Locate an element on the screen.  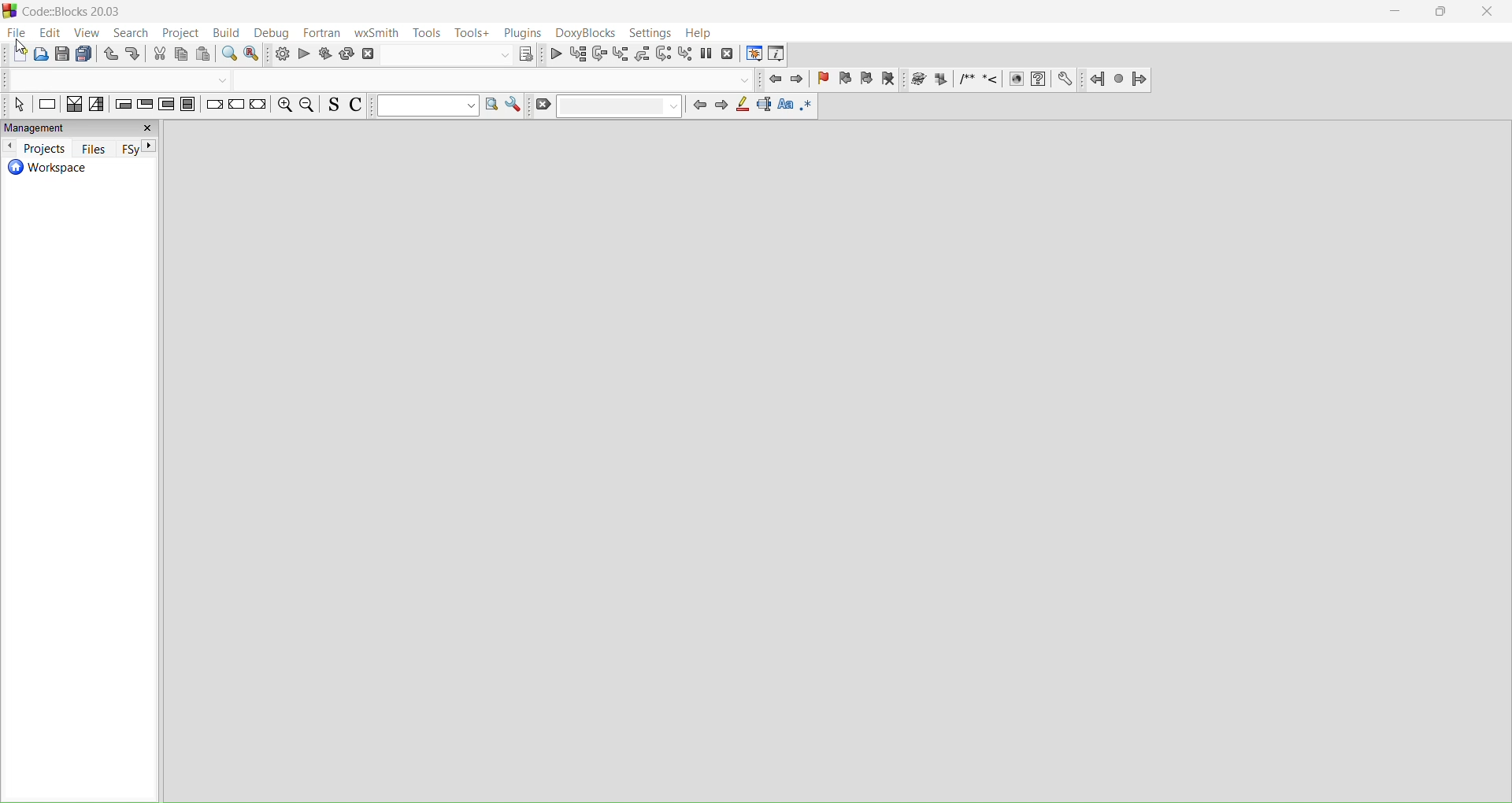
build is located at coordinates (232, 35).